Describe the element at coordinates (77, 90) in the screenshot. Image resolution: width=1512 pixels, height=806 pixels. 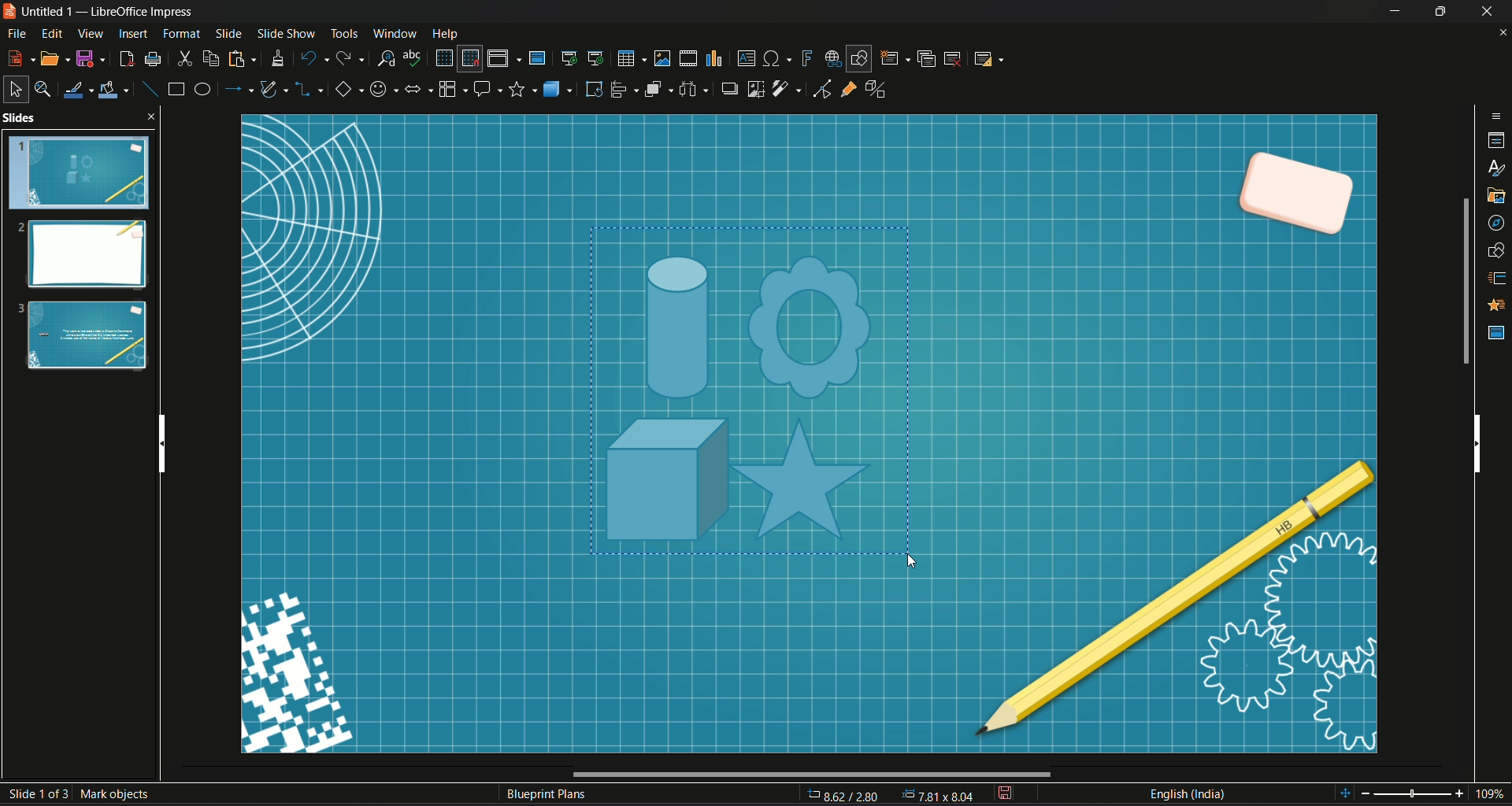
I see `line color` at that location.